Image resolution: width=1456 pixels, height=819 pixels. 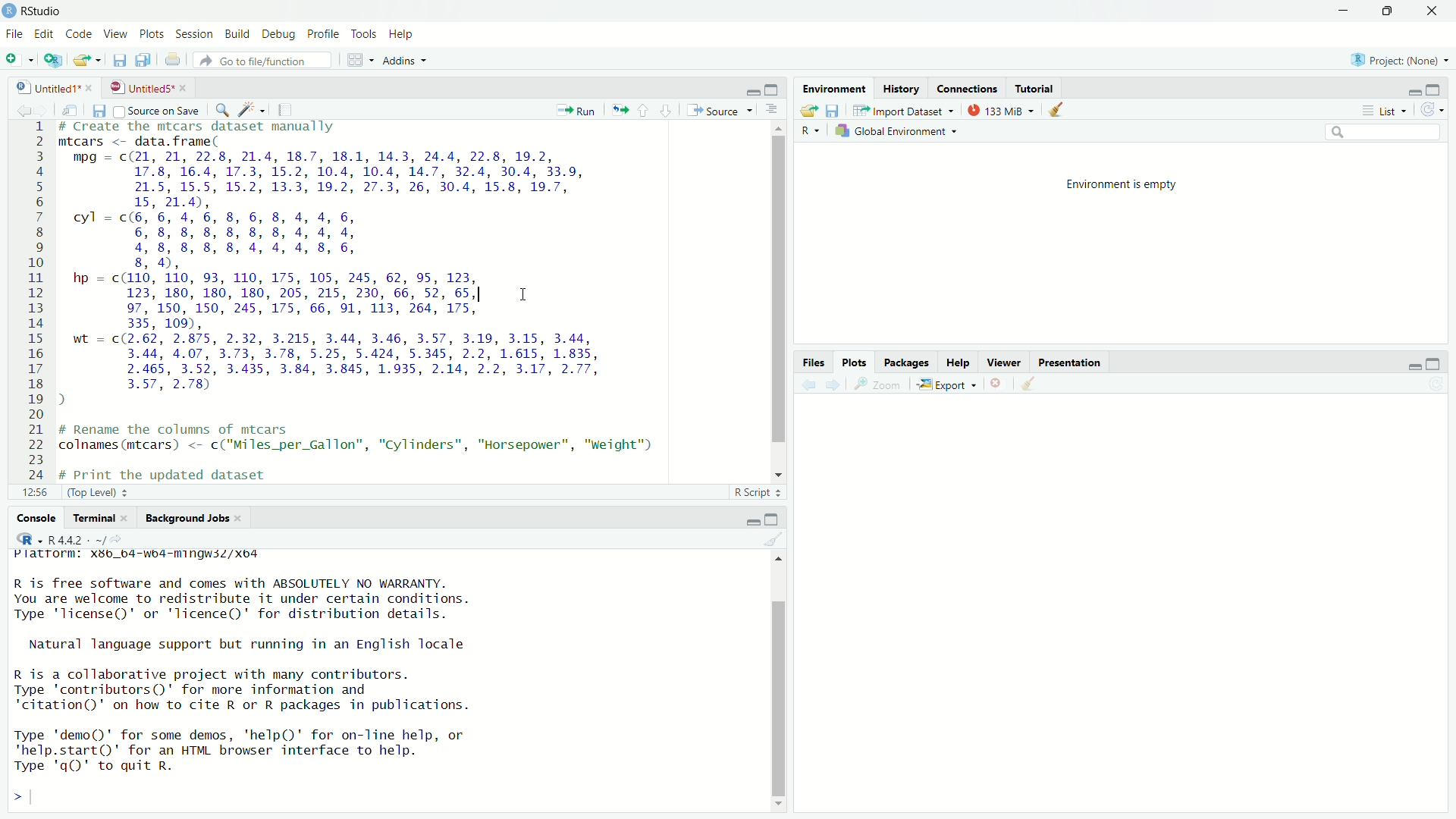 What do you see at coordinates (49, 87) in the screenshot?
I see `| Untitled 1*` at bounding box center [49, 87].